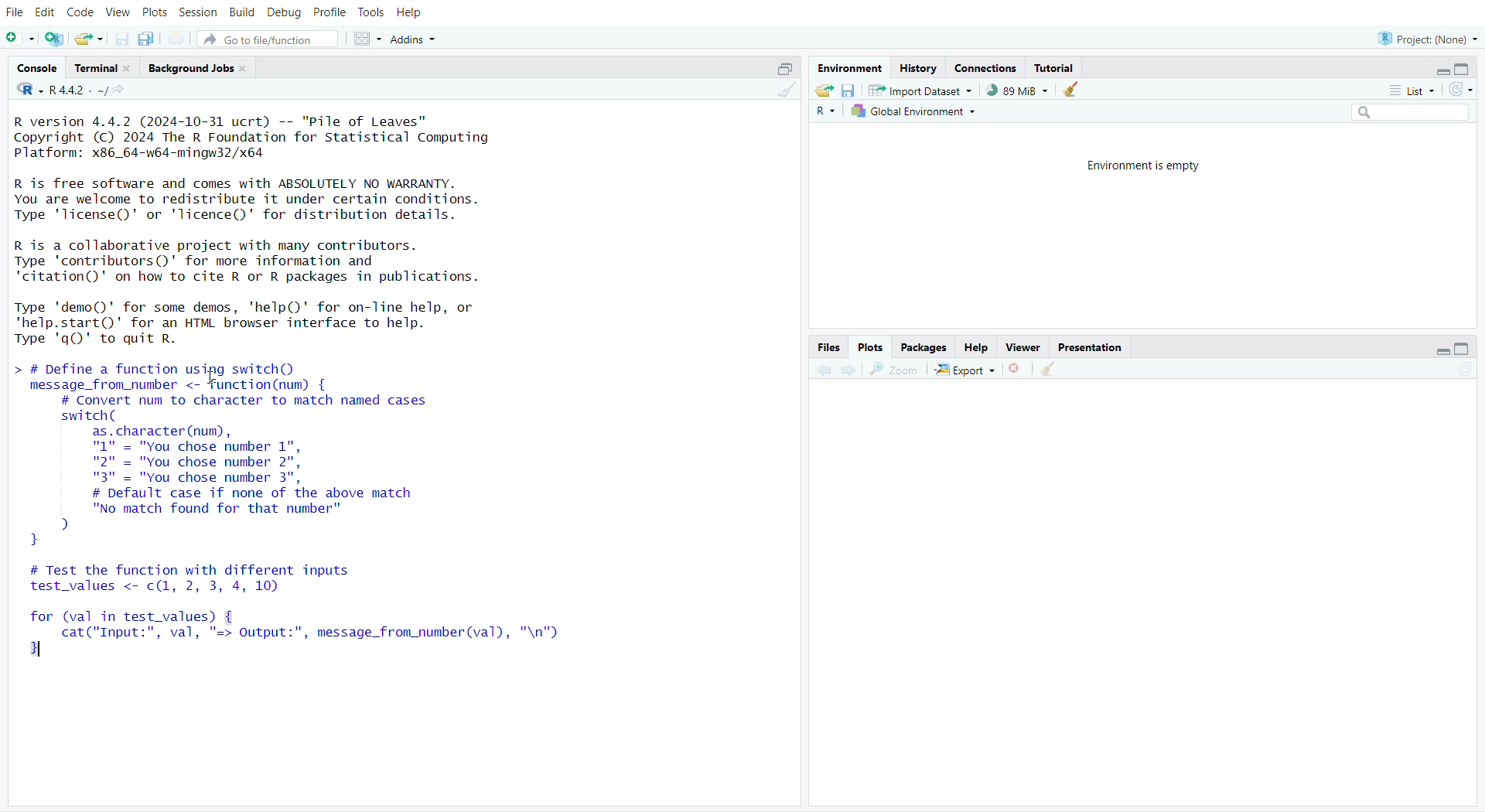  What do you see at coordinates (870, 345) in the screenshot?
I see `Plots` at bounding box center [870, 345].